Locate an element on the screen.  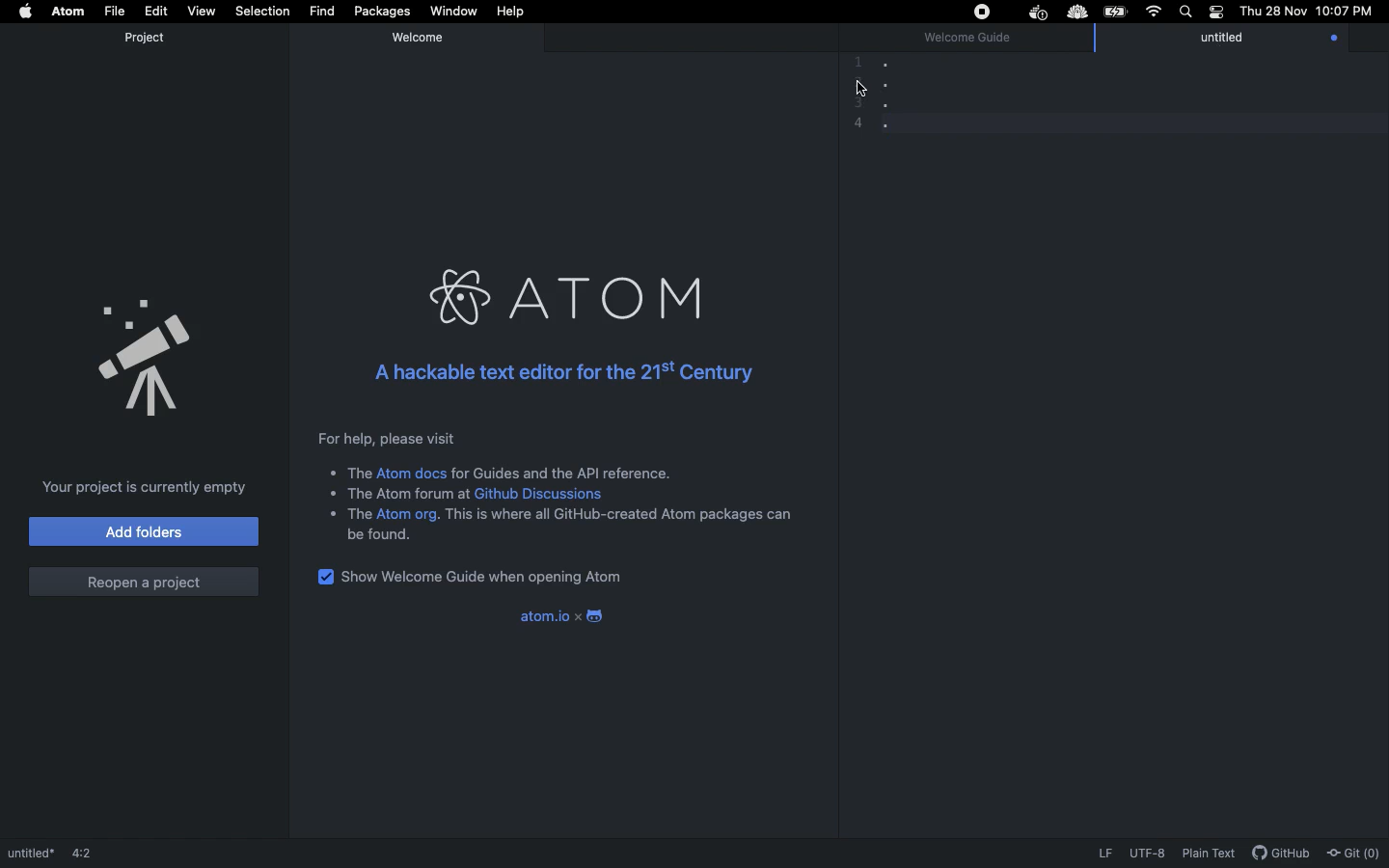
text is located at coordinates (619, 514).